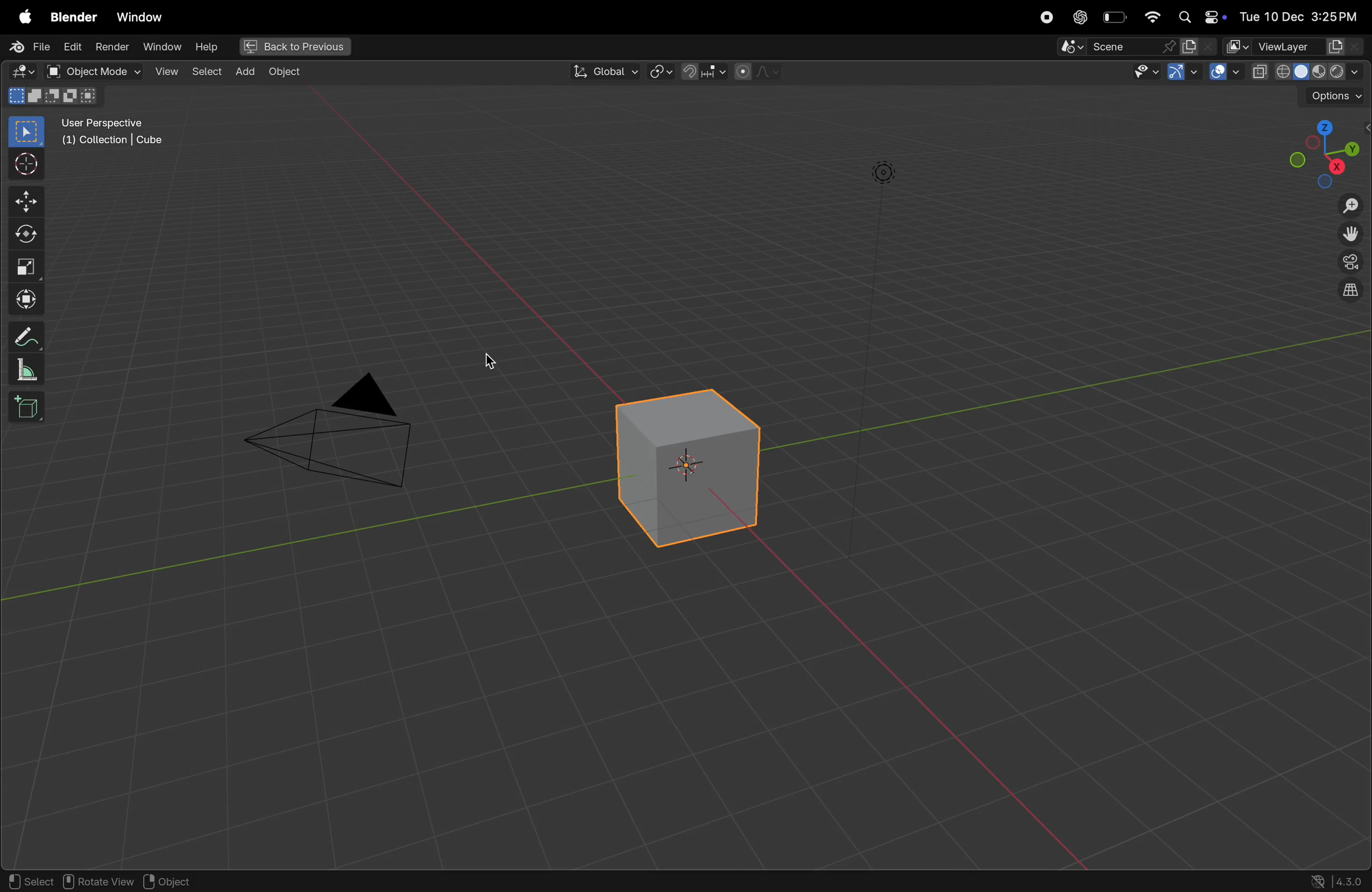 The width and height of the screenshot is (1372, 892). I want to click on object mode, so click(91, 70).